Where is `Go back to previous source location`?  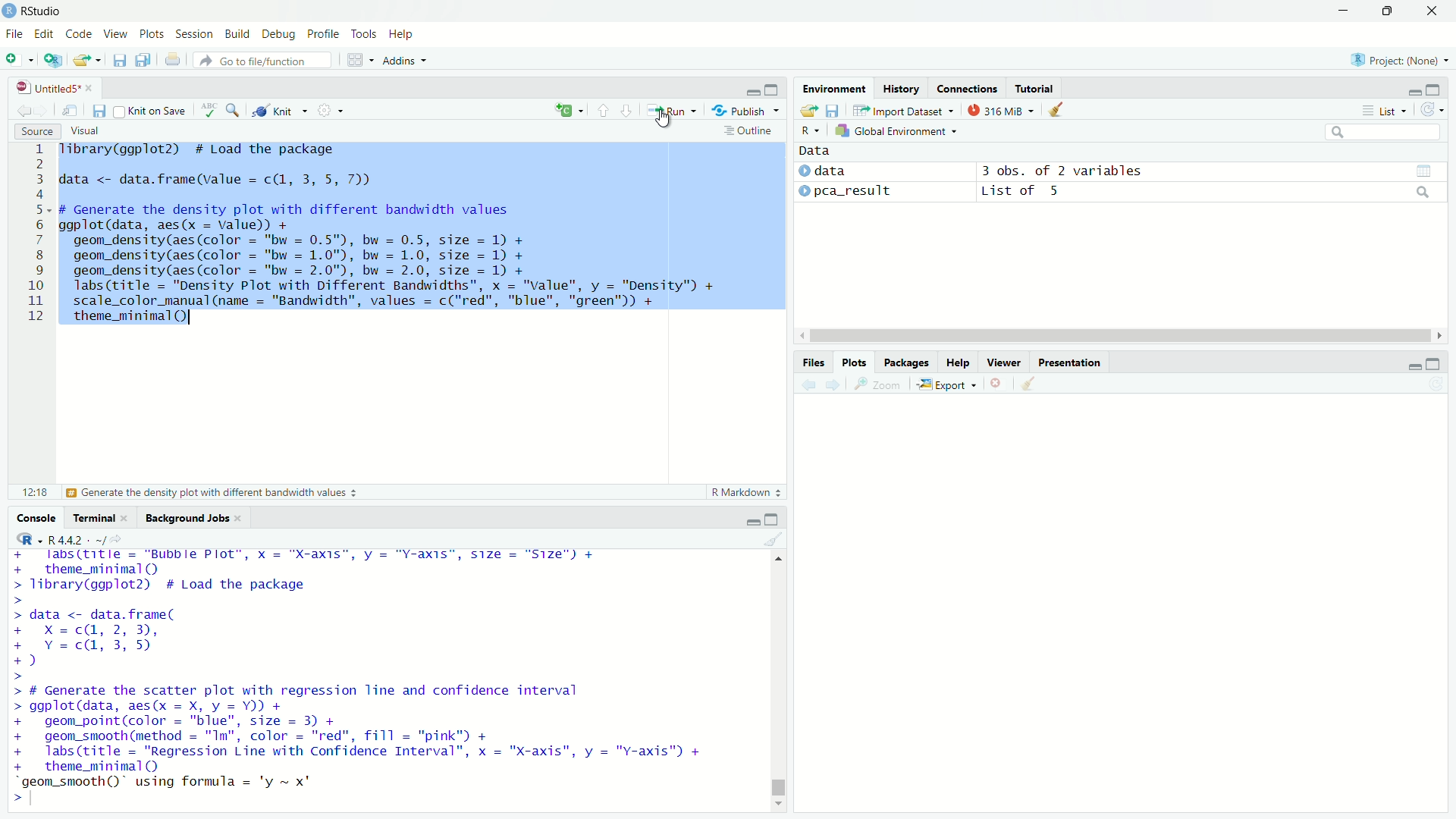
Go back to previous source location is located at coordinates (21, 109).